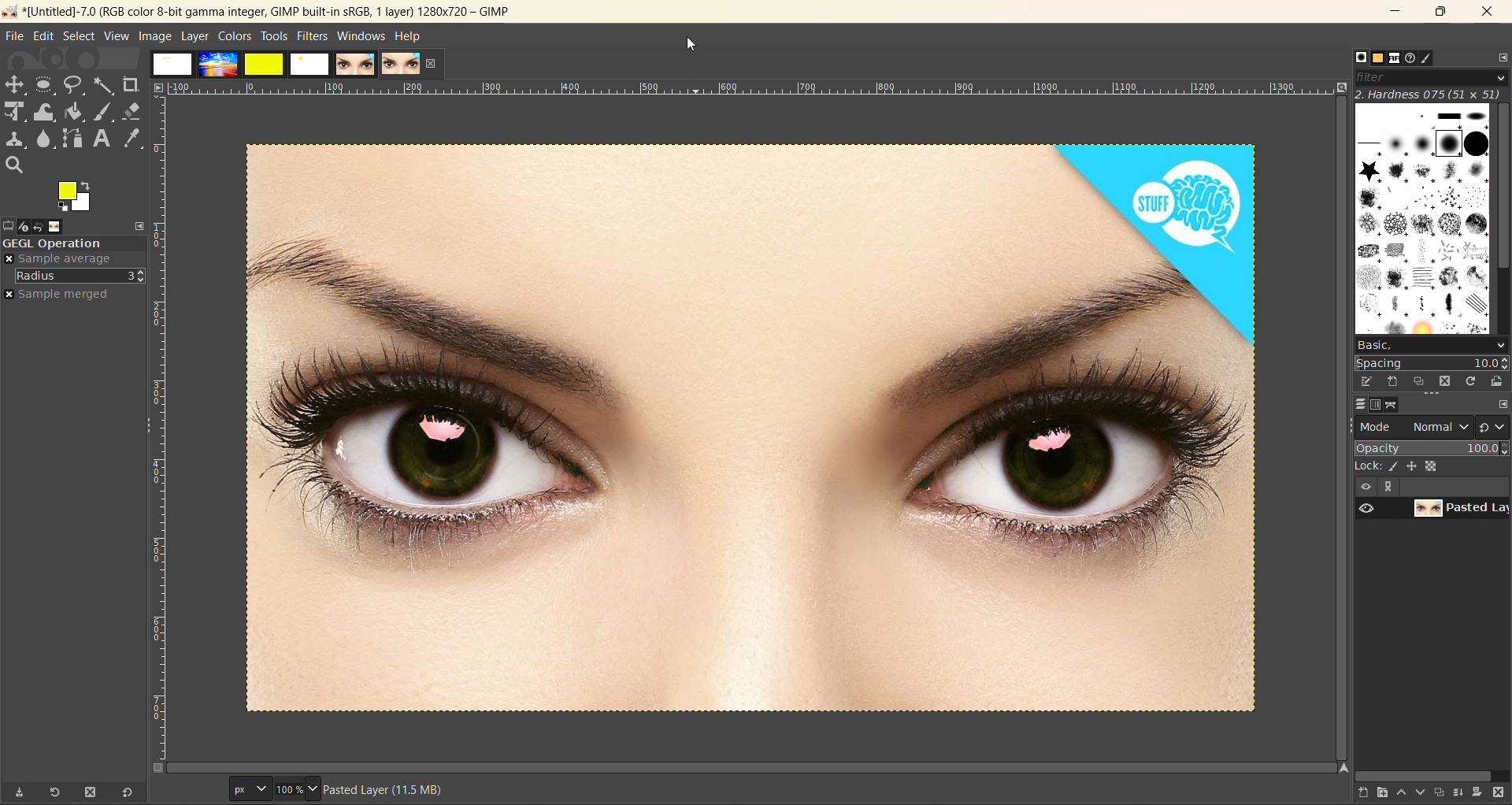  I want to click on patterns , so click(1370, 57).